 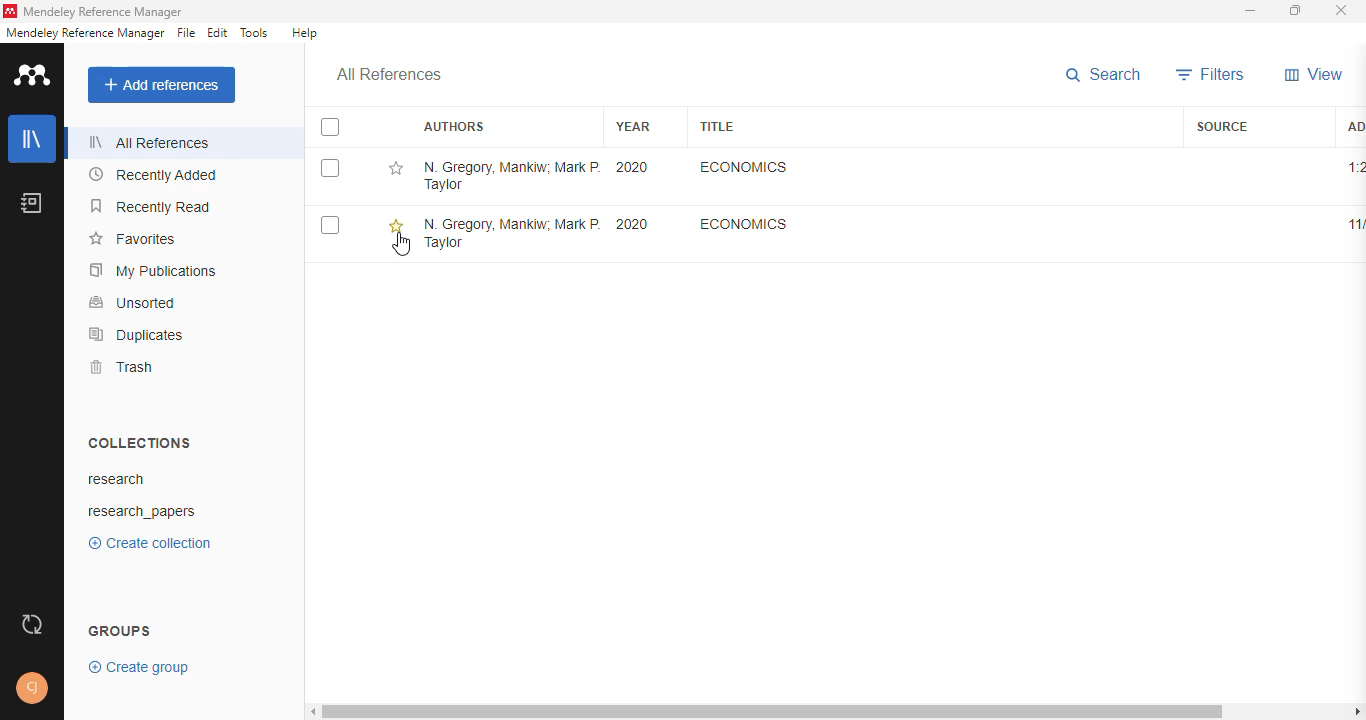 I want to click on create collection, so click(x=150, y=543).